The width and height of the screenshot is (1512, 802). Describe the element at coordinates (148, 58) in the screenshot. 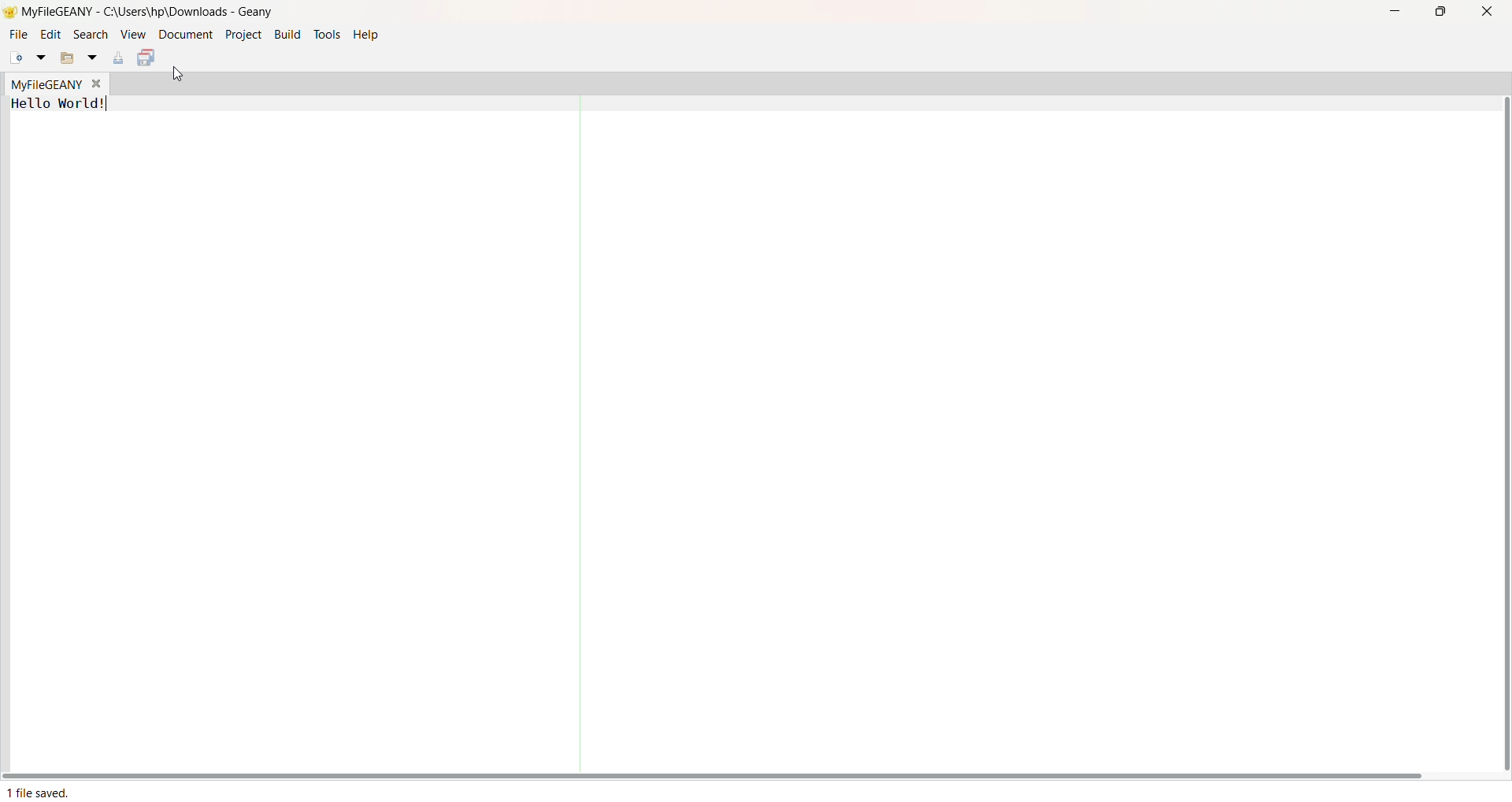

I see `Save All Open File` at that location.